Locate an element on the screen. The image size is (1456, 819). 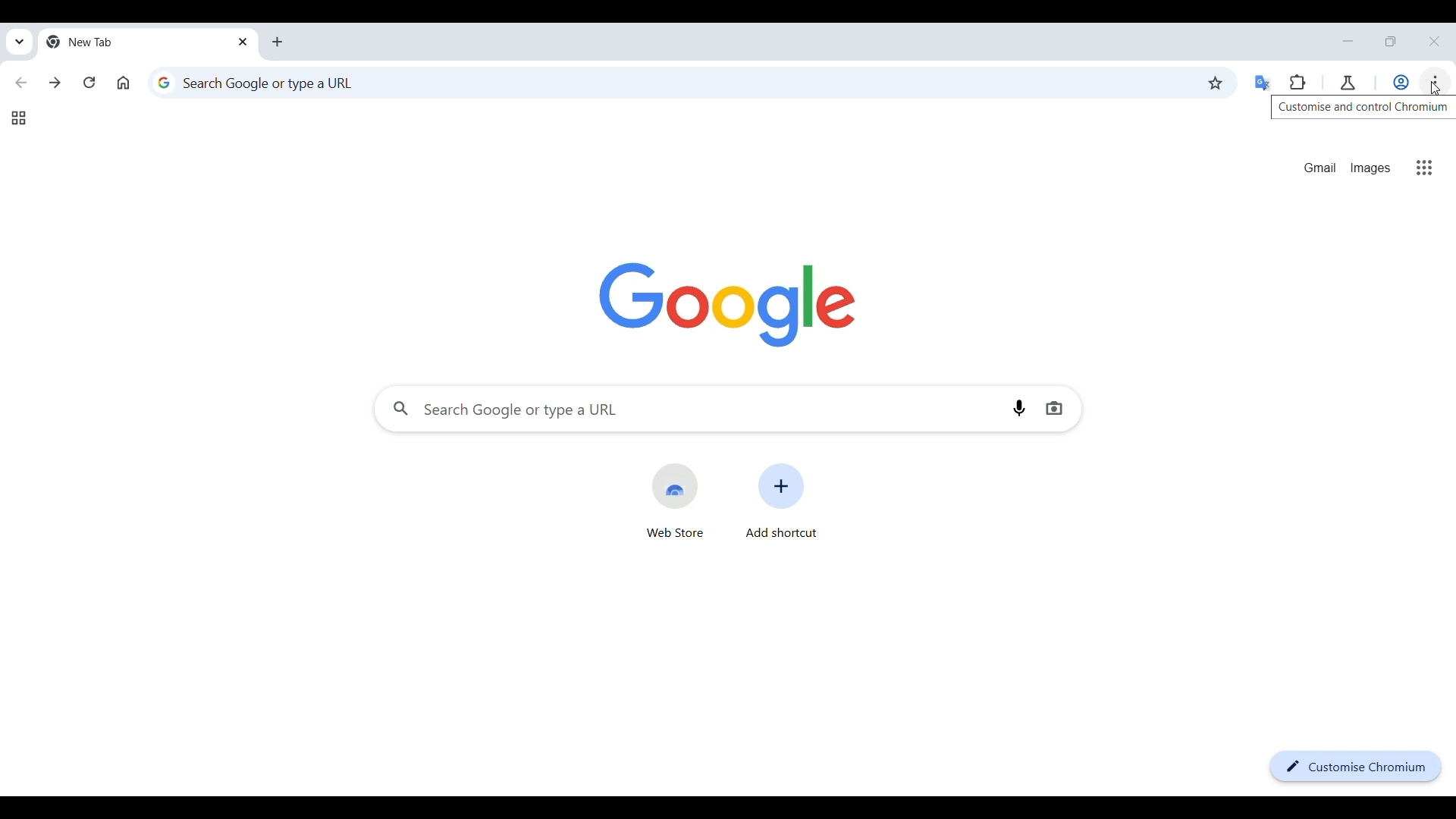
google is located at coordinates (728, 305).